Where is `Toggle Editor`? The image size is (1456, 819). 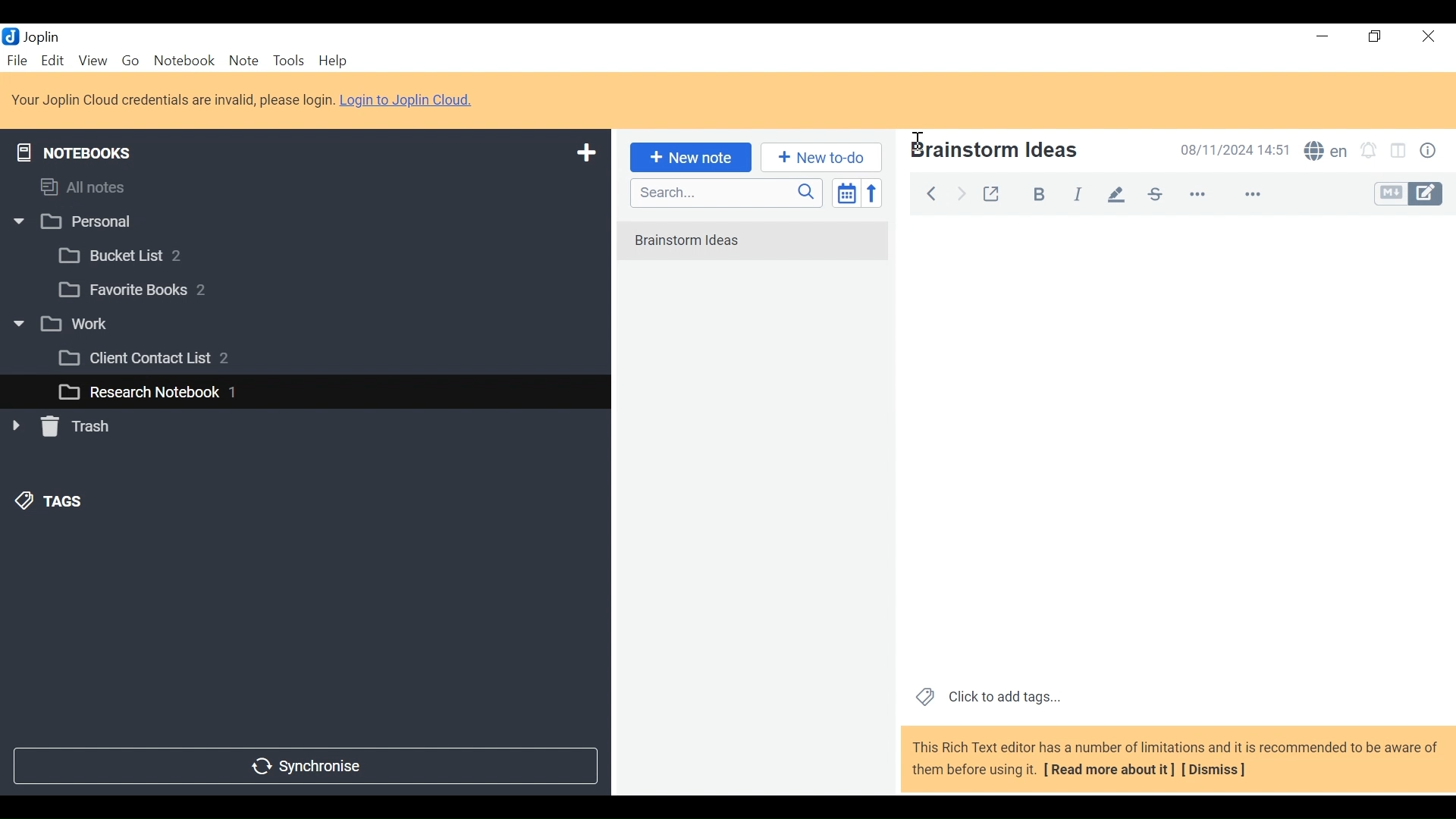
Toggle Editor is located at coordinates (1410, 194).